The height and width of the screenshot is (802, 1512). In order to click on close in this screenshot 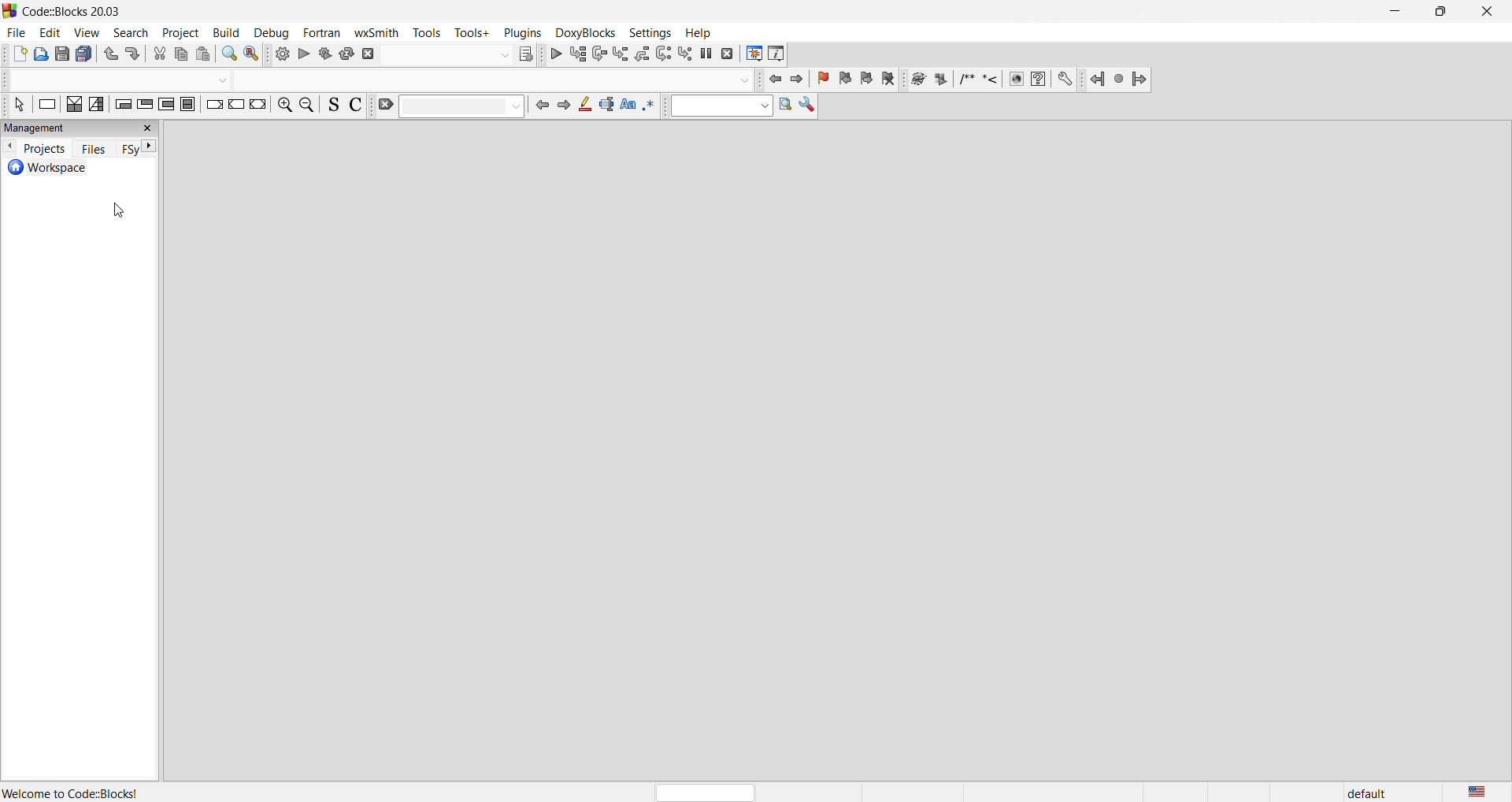, I will do `click(1490, 11)`.